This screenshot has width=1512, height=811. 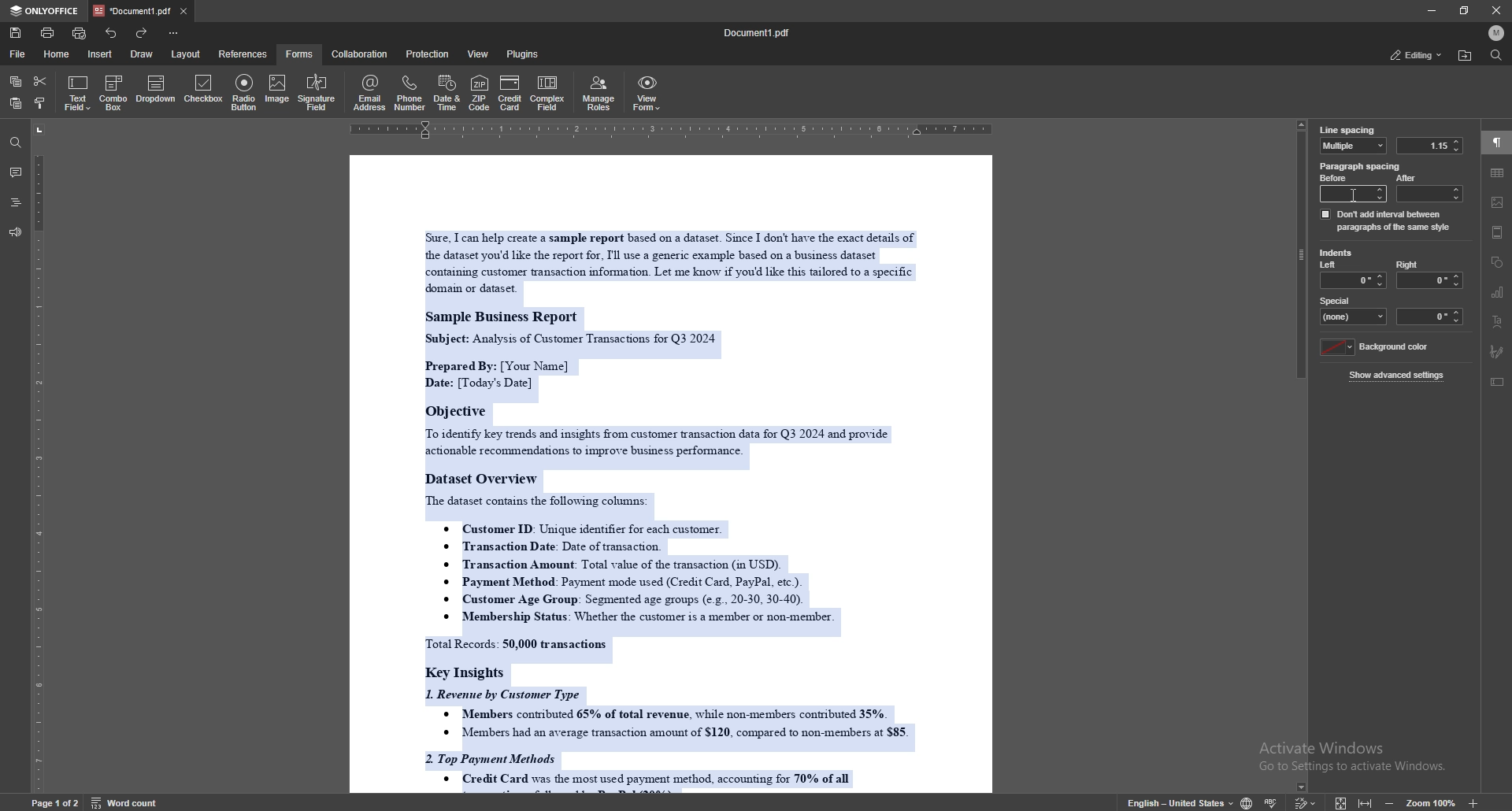 What do you see at coordinates (14, 104) in the screenshot?
I see `paste` at bounding box center [14, 104].